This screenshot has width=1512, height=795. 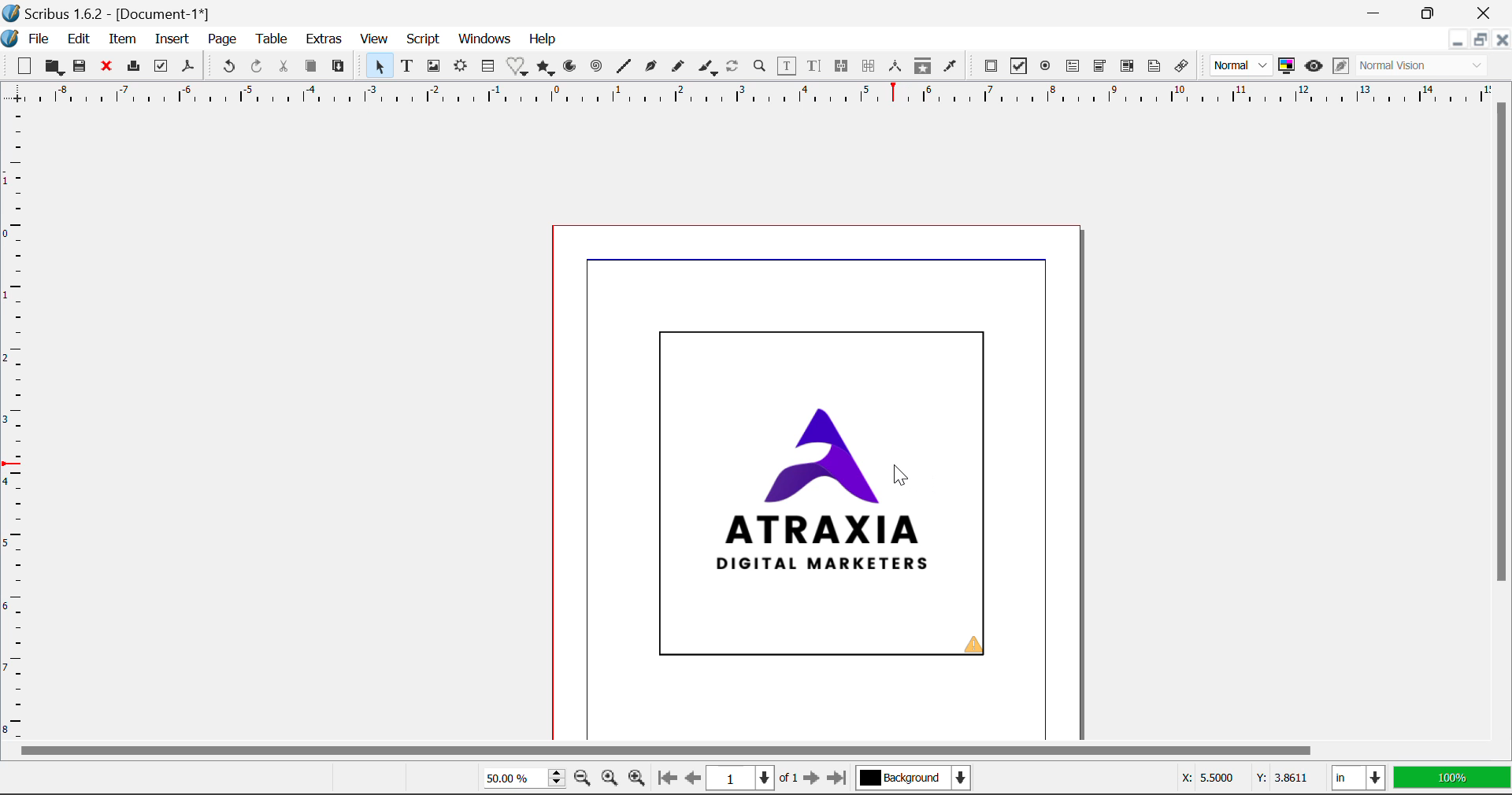 I want to click on Save, so click(x=81, y=68).